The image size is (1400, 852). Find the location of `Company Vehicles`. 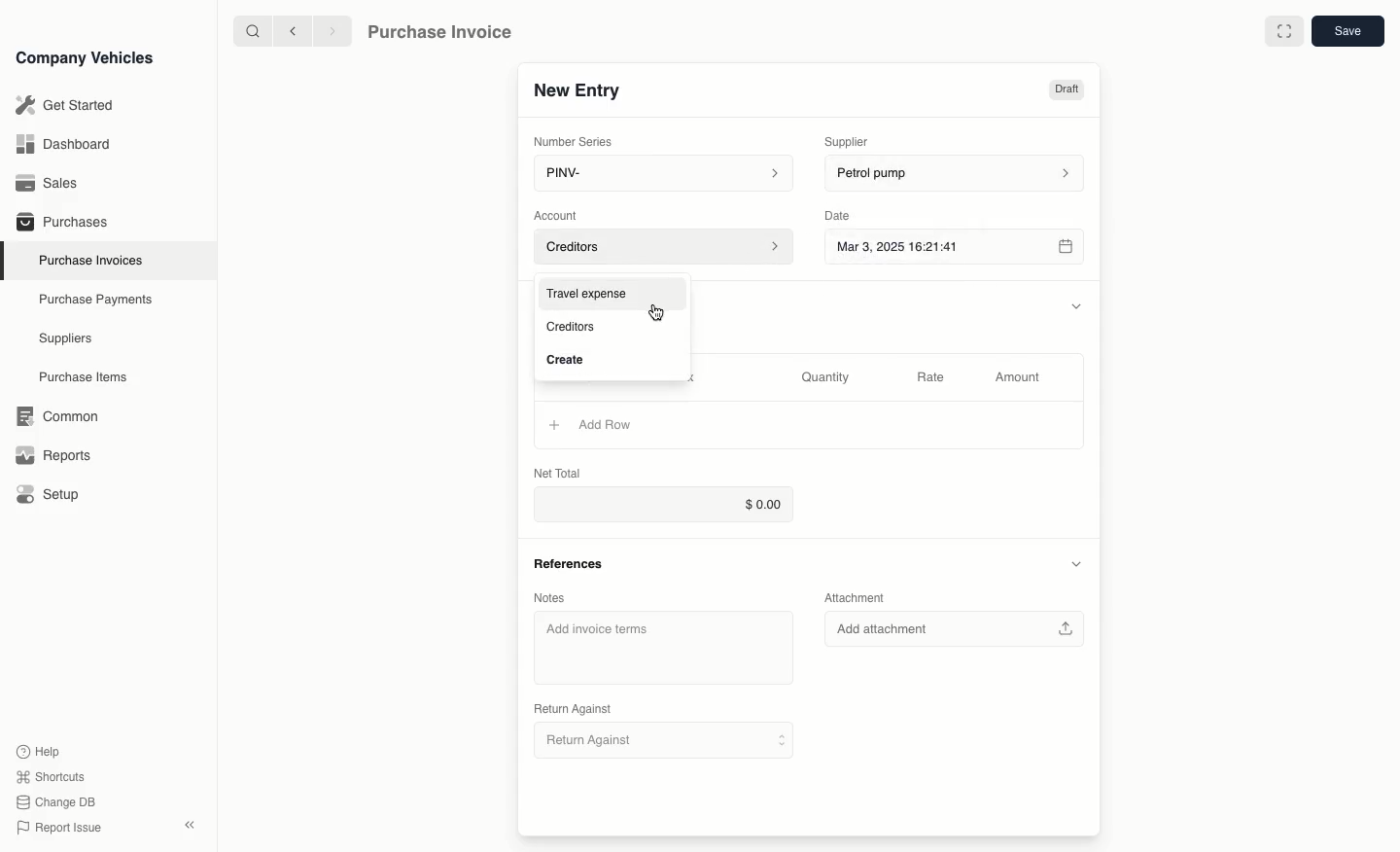

Company Vehicles is located at coordinates (85, 57).